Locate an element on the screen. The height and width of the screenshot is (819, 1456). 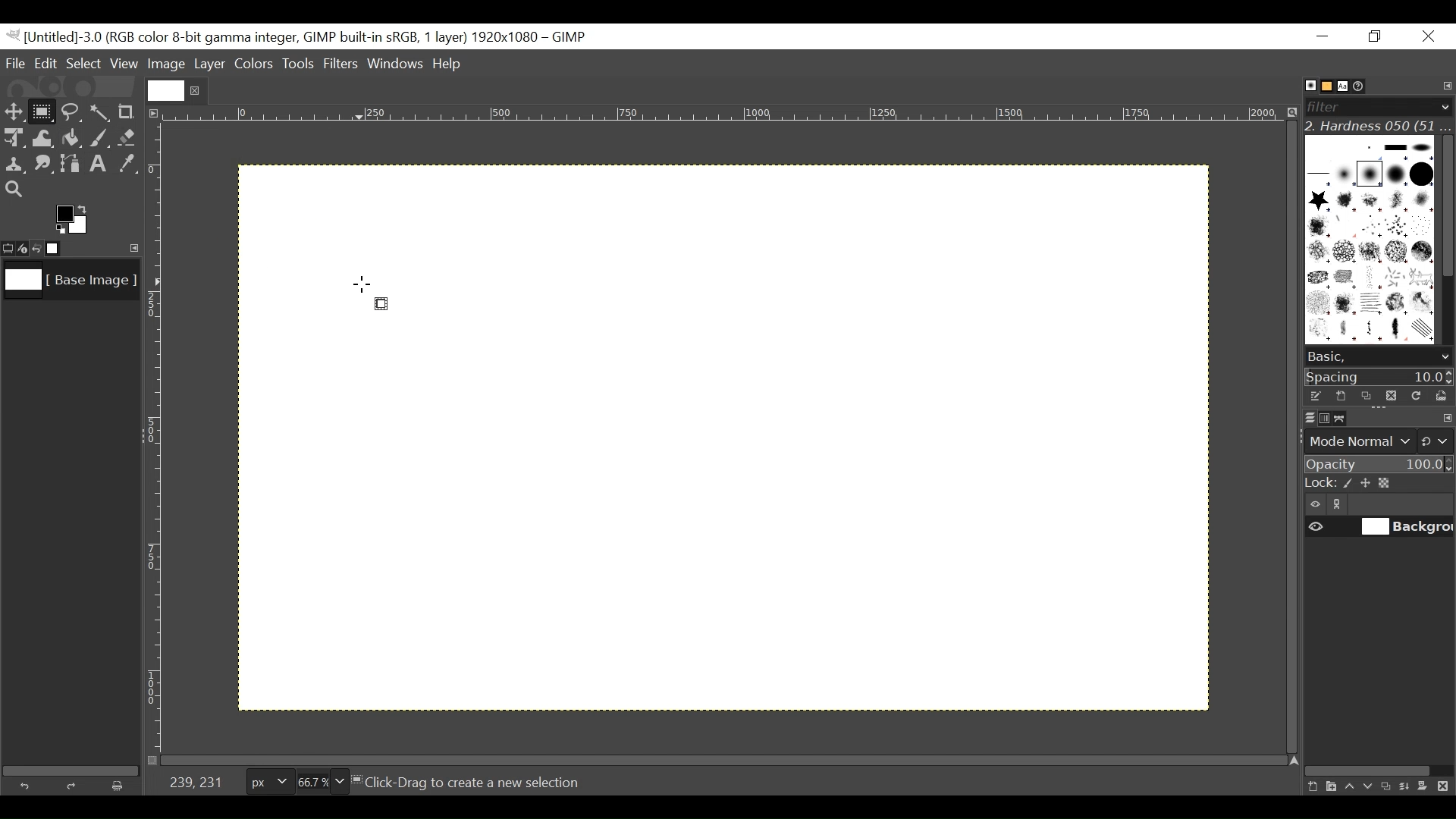
Open is located at coordinates (1438, 396).